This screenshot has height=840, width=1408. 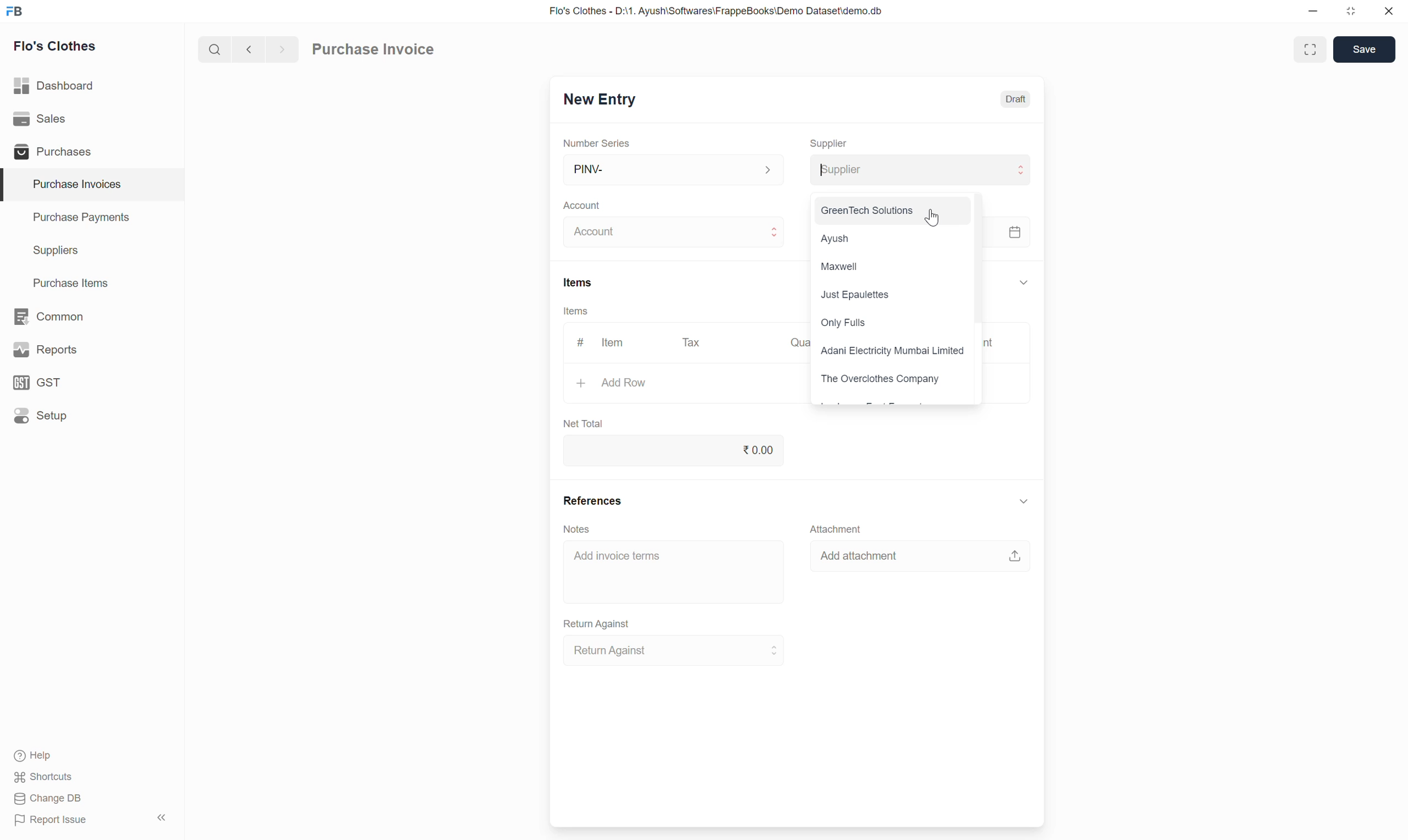 What do you see at coordinates (91, 151) in the screenshot?
I see `Purchases` at bounding box center [91, 151].